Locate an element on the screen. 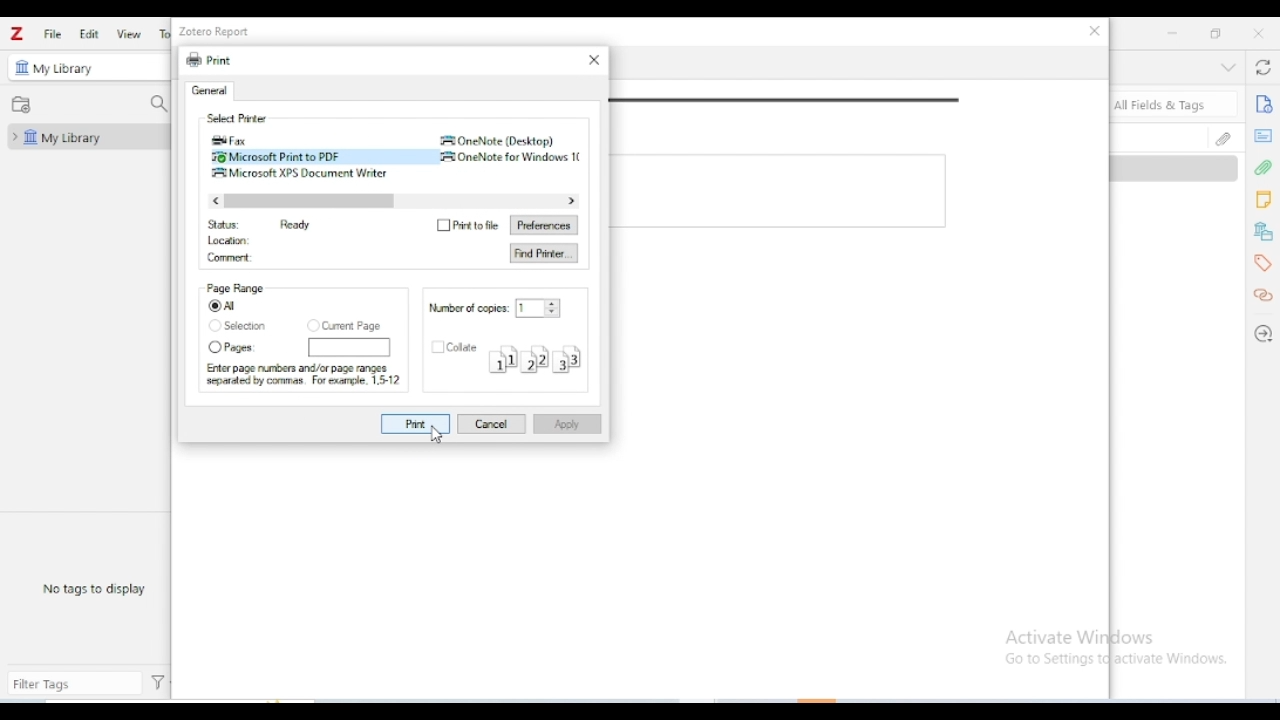 This screenshot has height=720, width=1280. filter tags is located at coordinates (74, 685).